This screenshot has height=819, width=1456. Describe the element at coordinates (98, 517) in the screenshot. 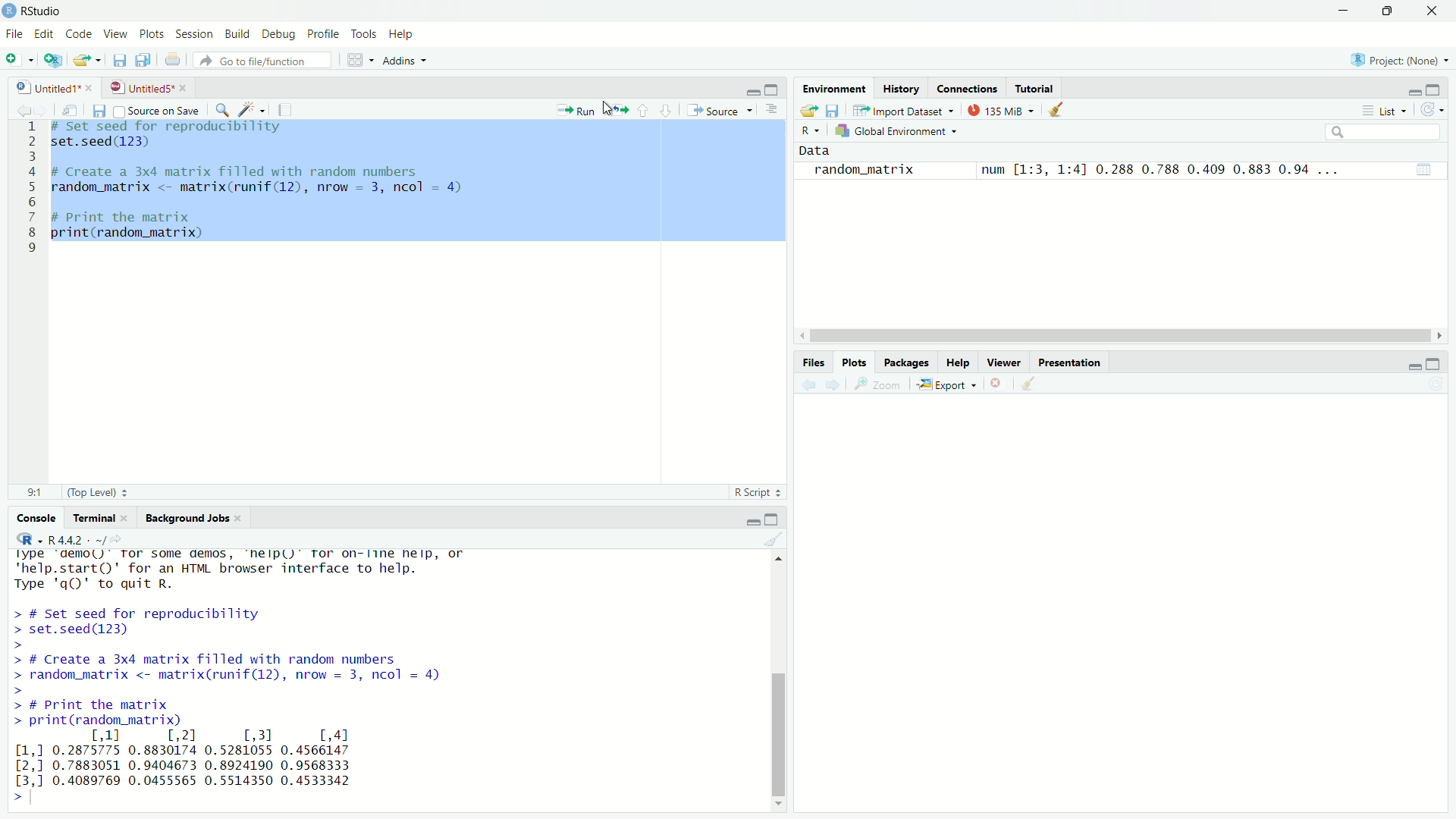

I see `rerminal` at that location.